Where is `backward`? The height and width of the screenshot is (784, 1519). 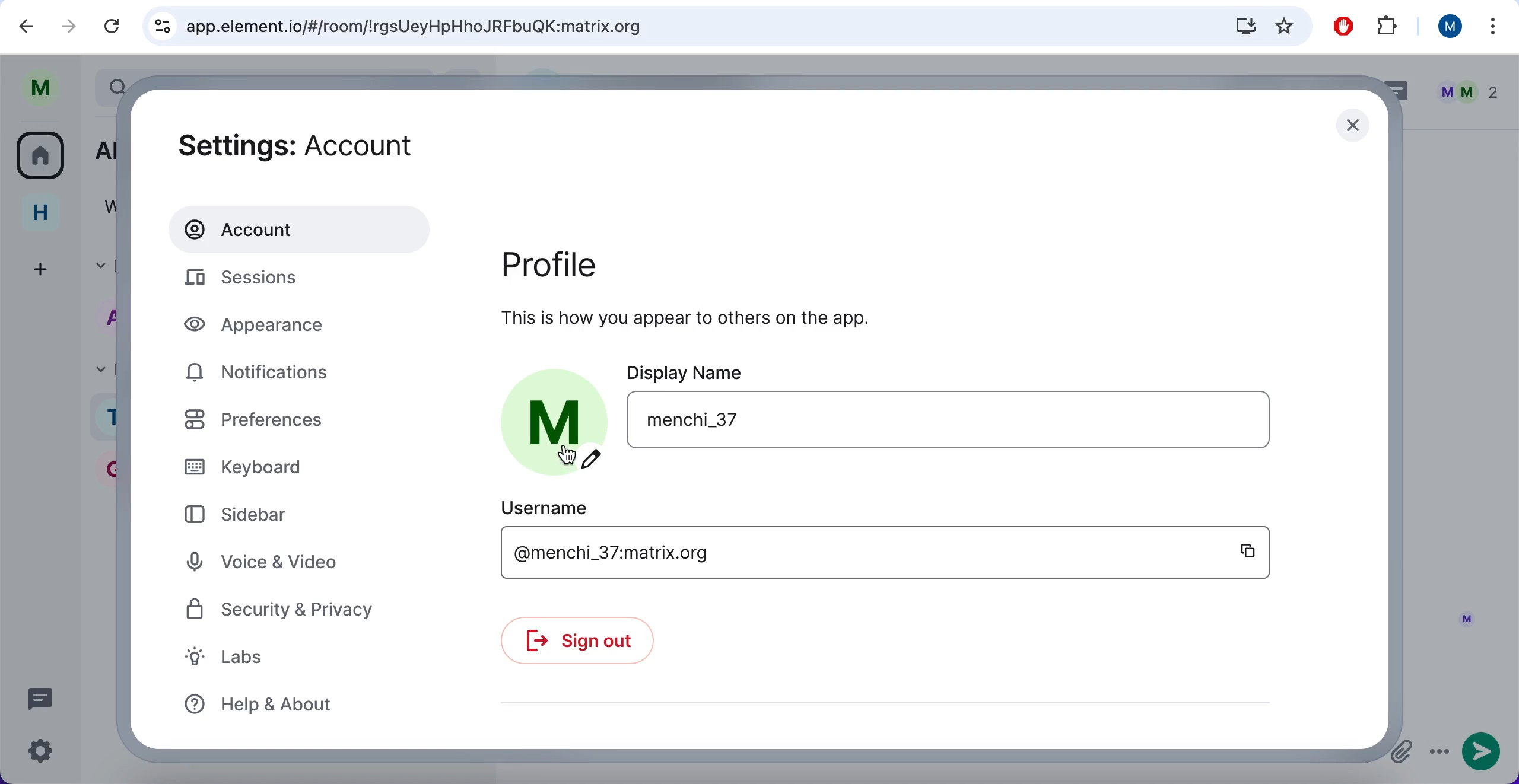
backward is located at coordinates (21, 27).